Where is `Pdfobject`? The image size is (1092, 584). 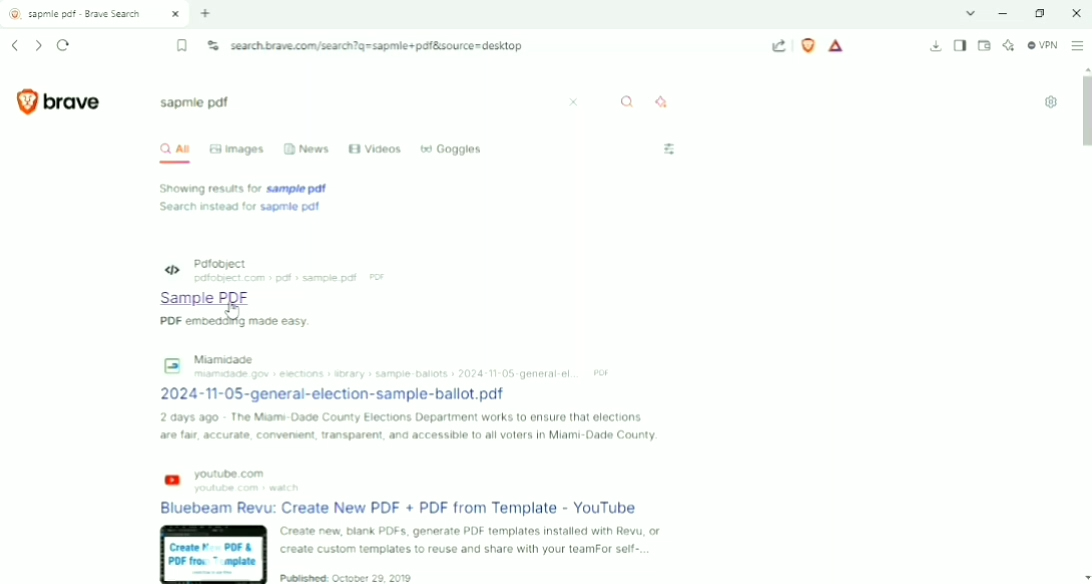 Pdfobject is located at coordinates (226, 262).